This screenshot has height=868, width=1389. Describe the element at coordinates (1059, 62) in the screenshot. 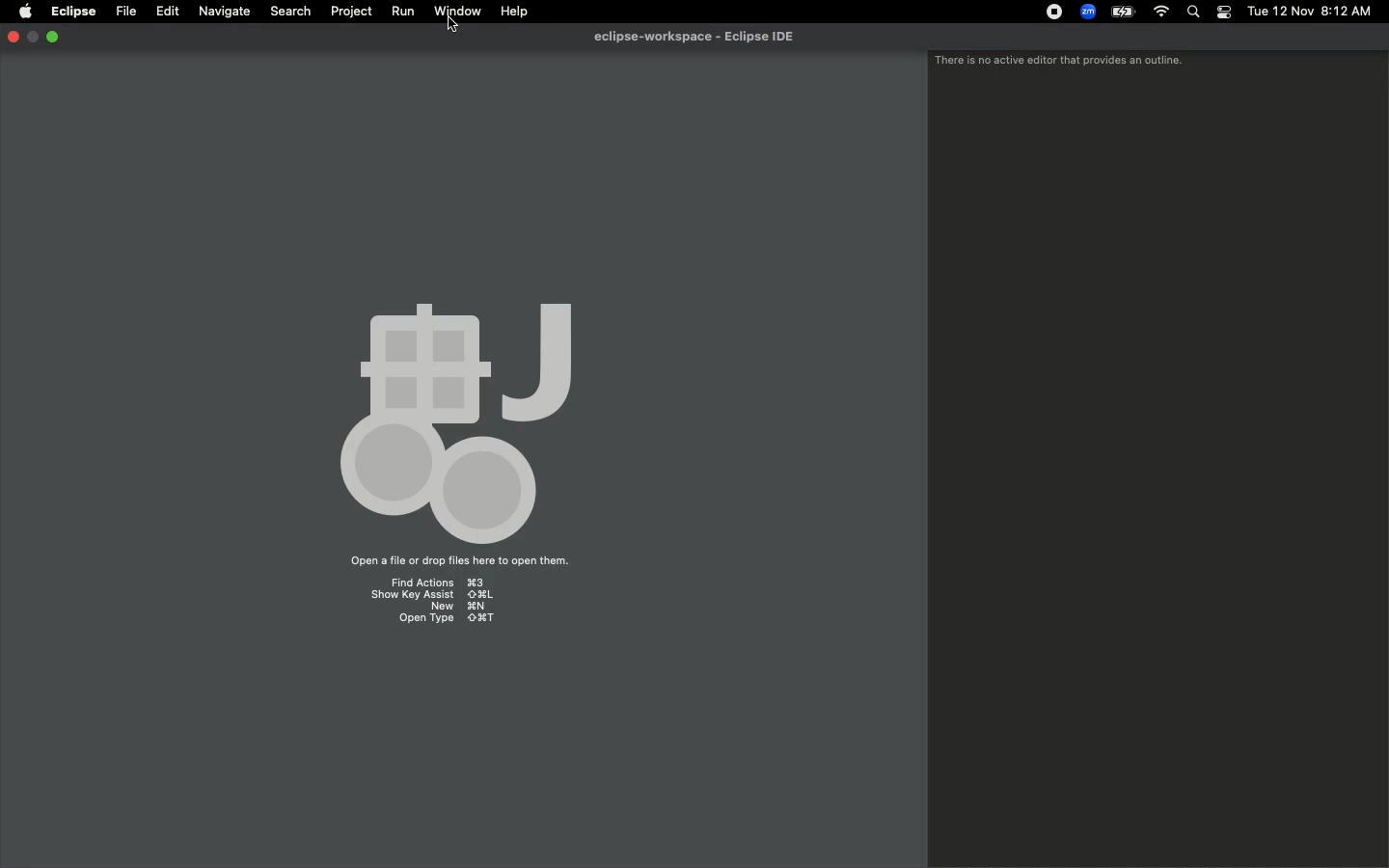

I see `There is no active editor that provides an outline` at that location.